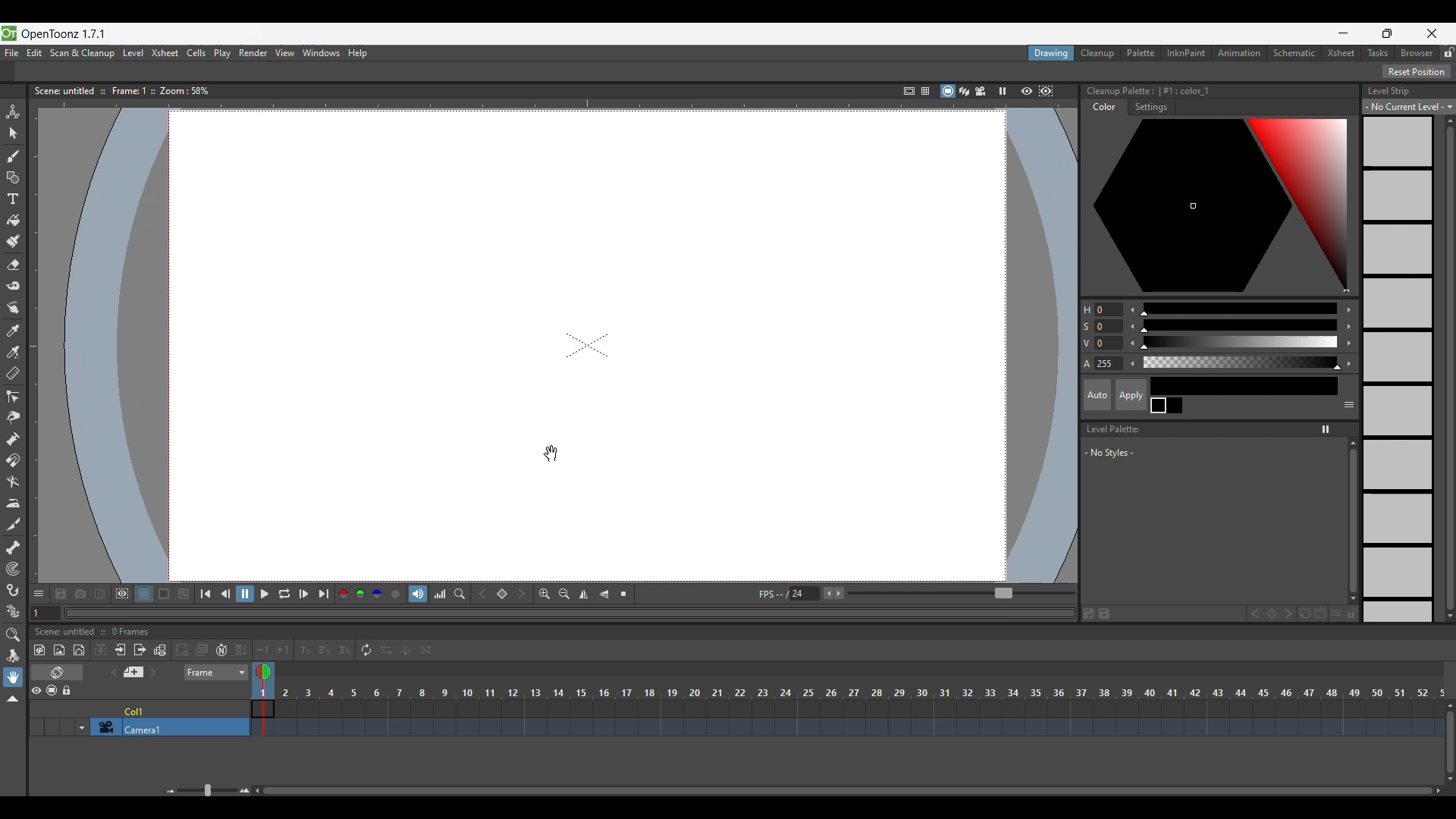 This screenshot has height=819, width=1456. Describe the element at coordinates (253, 53) in the screenshot. I see `Render` at that location.